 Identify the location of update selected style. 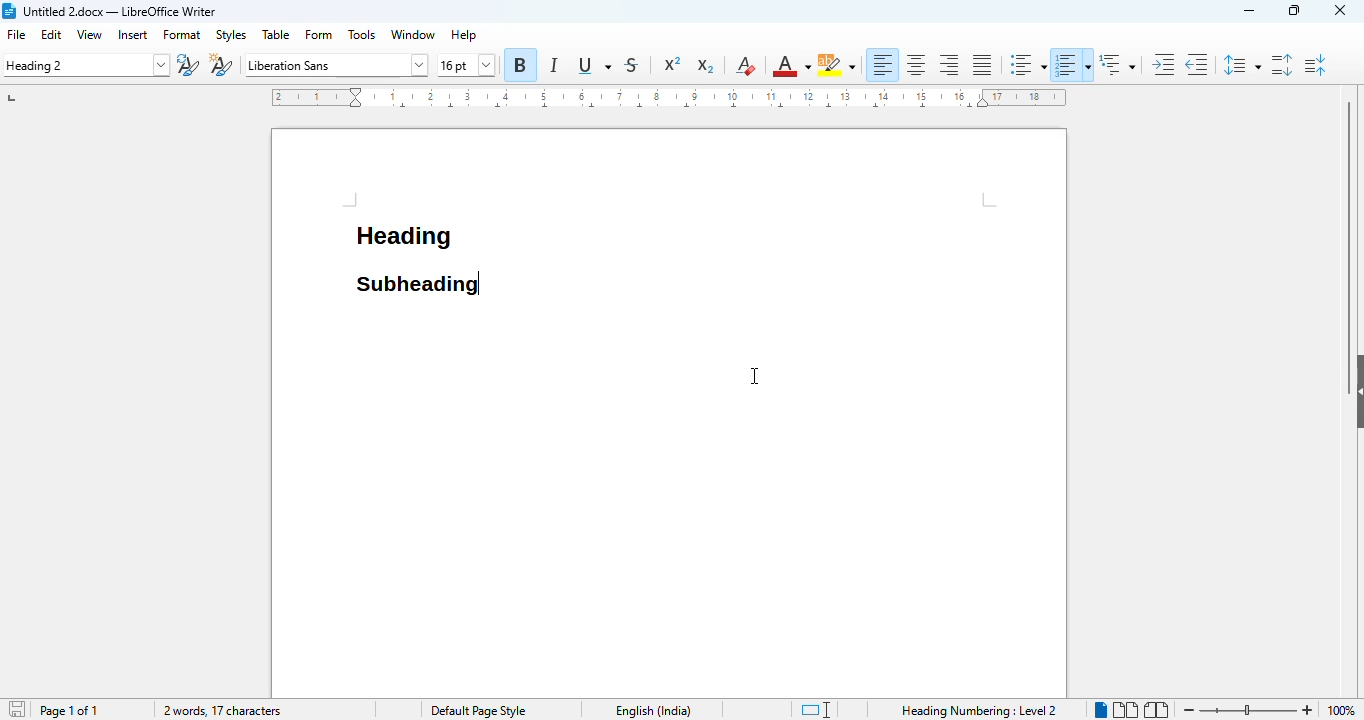
(188, 65).